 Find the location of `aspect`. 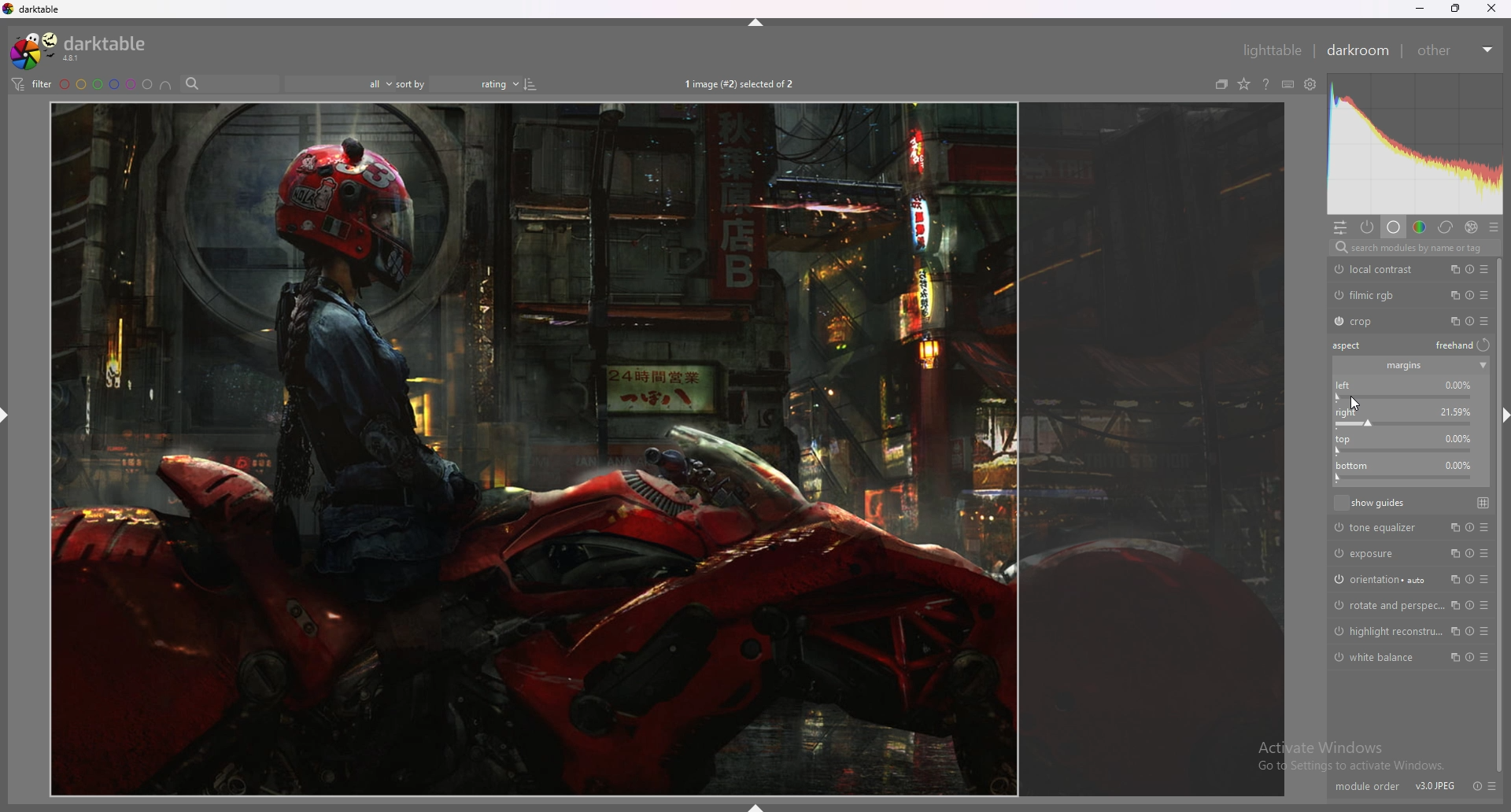

aspect is located at coordinates (1351, 345).